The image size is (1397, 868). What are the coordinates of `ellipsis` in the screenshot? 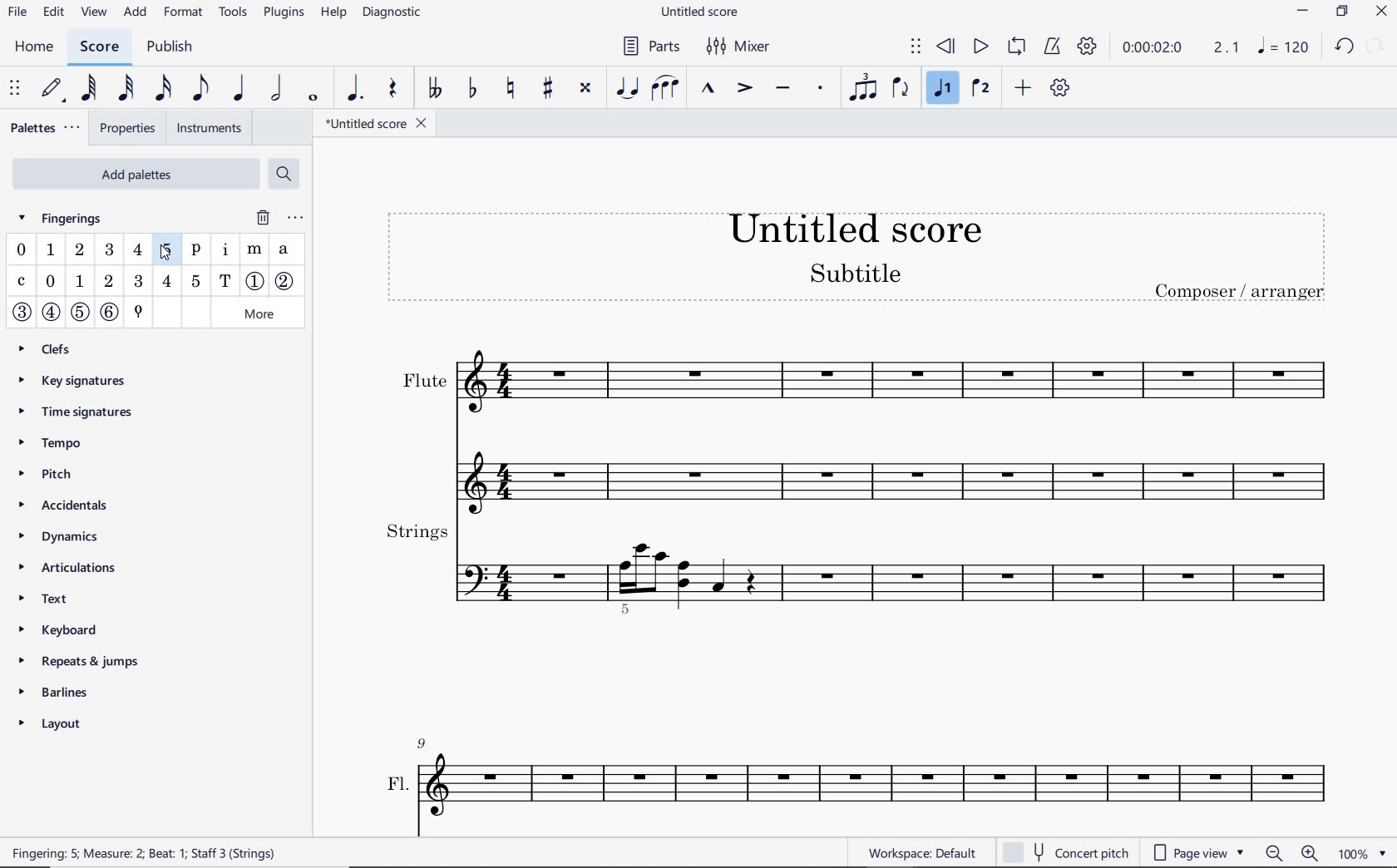 It's located at (292, 218).